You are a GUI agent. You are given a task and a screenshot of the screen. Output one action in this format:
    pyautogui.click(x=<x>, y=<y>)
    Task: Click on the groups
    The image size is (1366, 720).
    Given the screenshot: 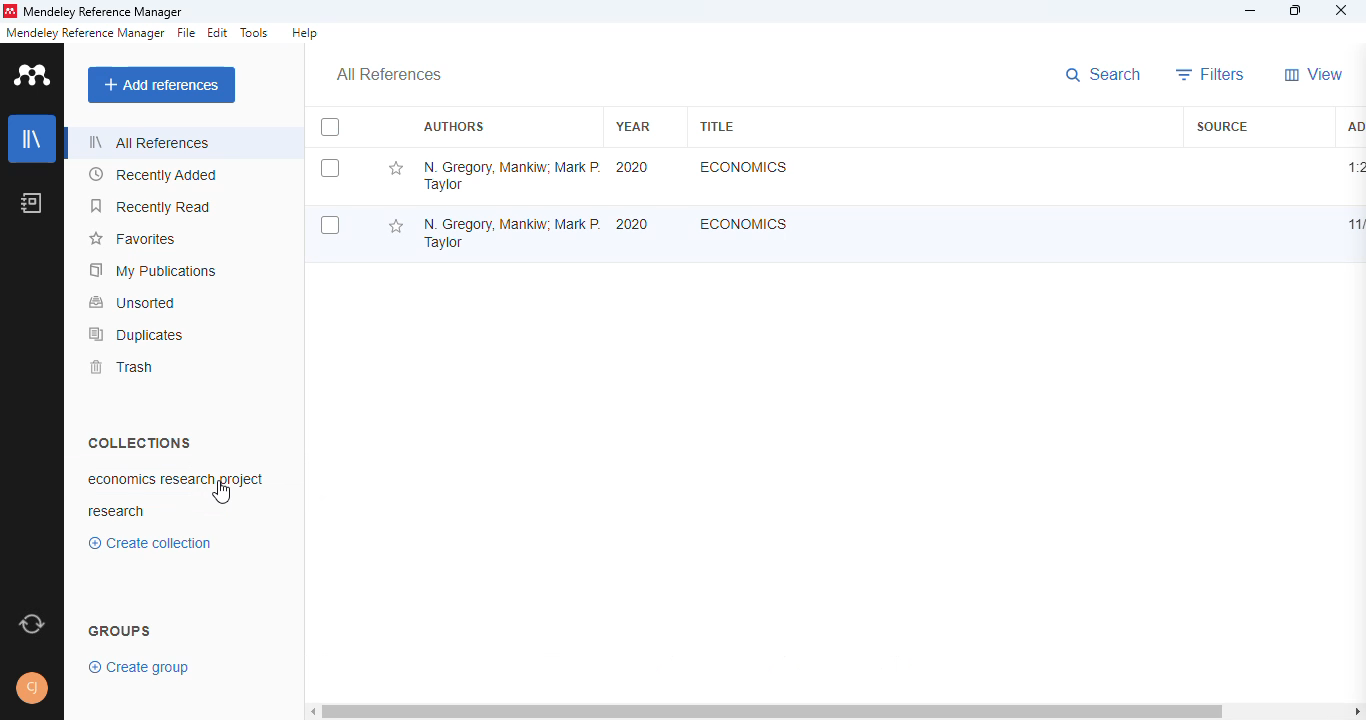 What is the action you would take?
    pyautogui.click(x=121, y=629)
    